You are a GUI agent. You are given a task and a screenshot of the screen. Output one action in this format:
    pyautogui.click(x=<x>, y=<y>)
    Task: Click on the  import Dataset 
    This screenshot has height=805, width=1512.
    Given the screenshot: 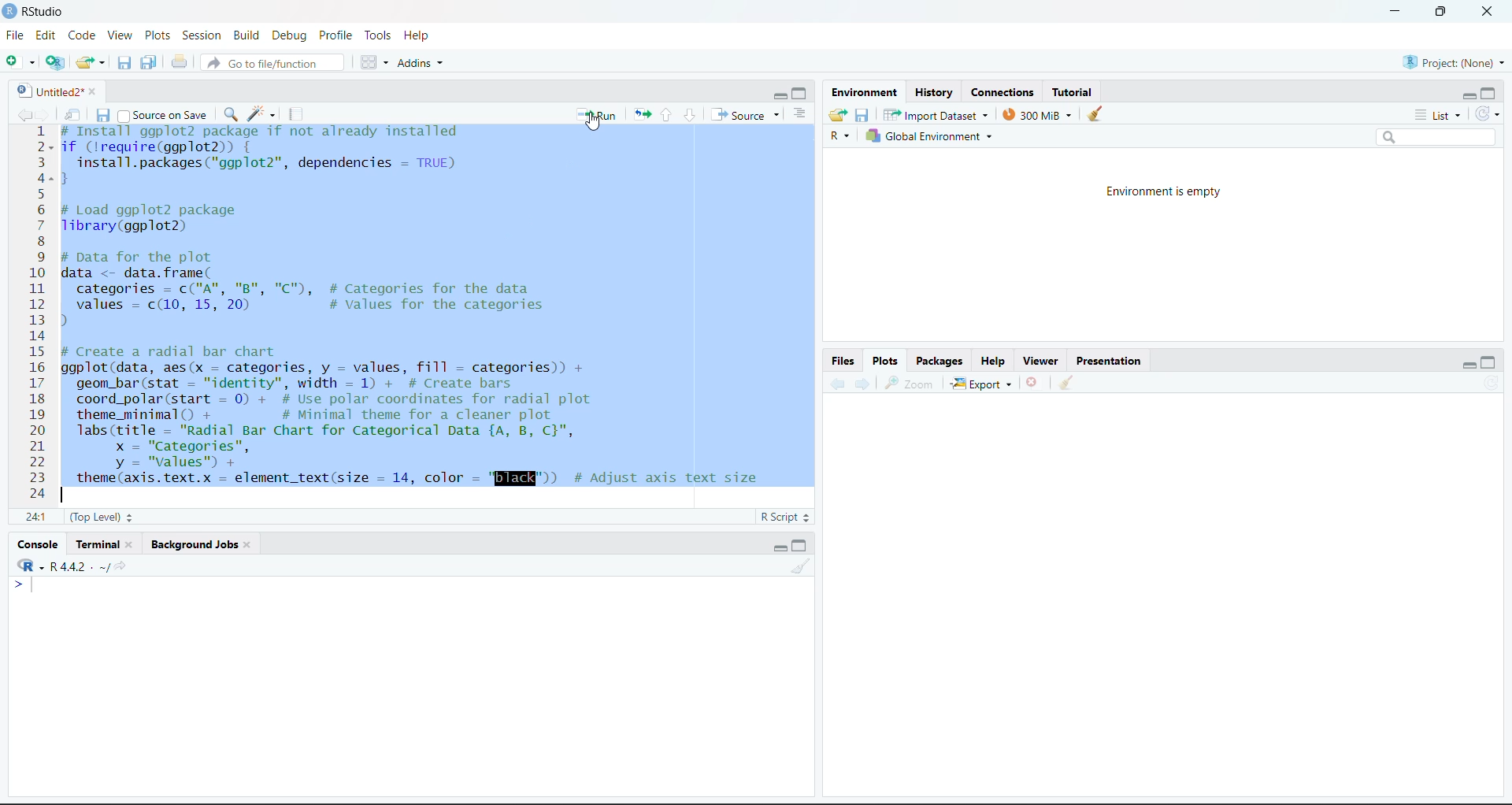 What is the action you would take?
    pyautogui.click(x=938, y=113)
    